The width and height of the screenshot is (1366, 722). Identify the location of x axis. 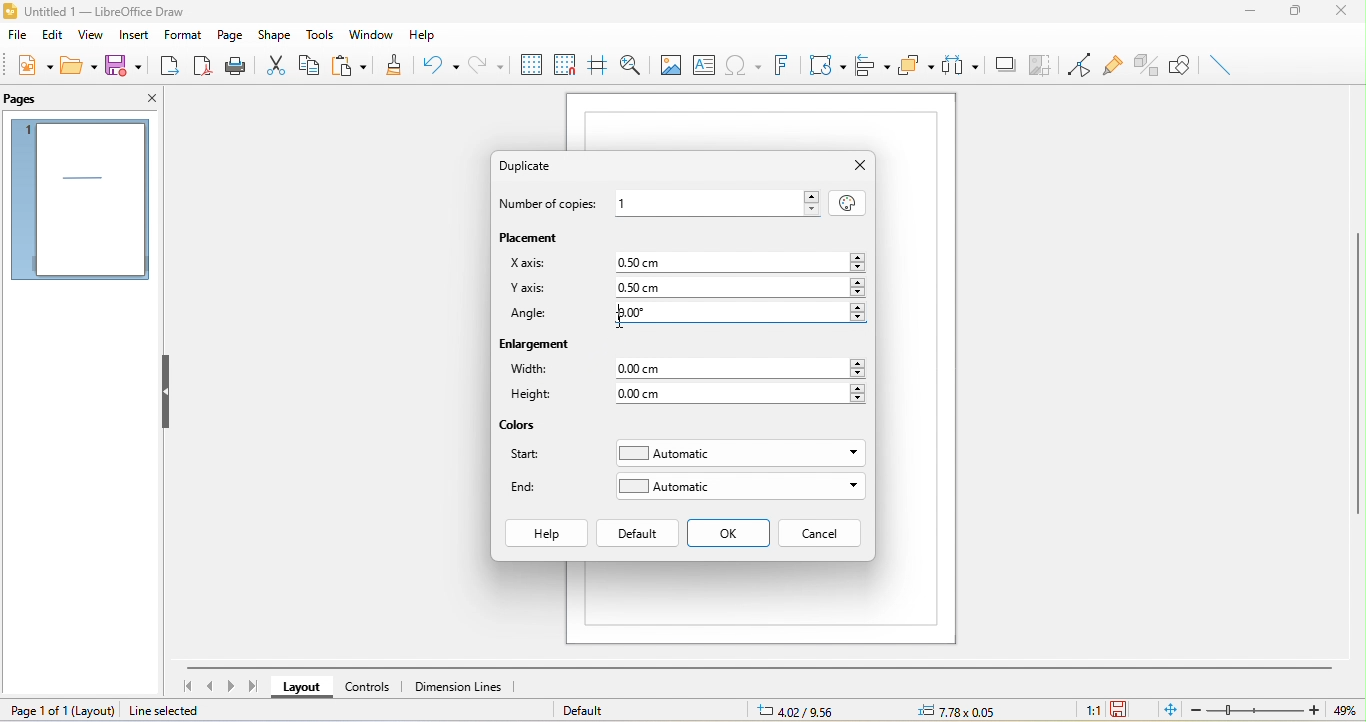
(528, 262).